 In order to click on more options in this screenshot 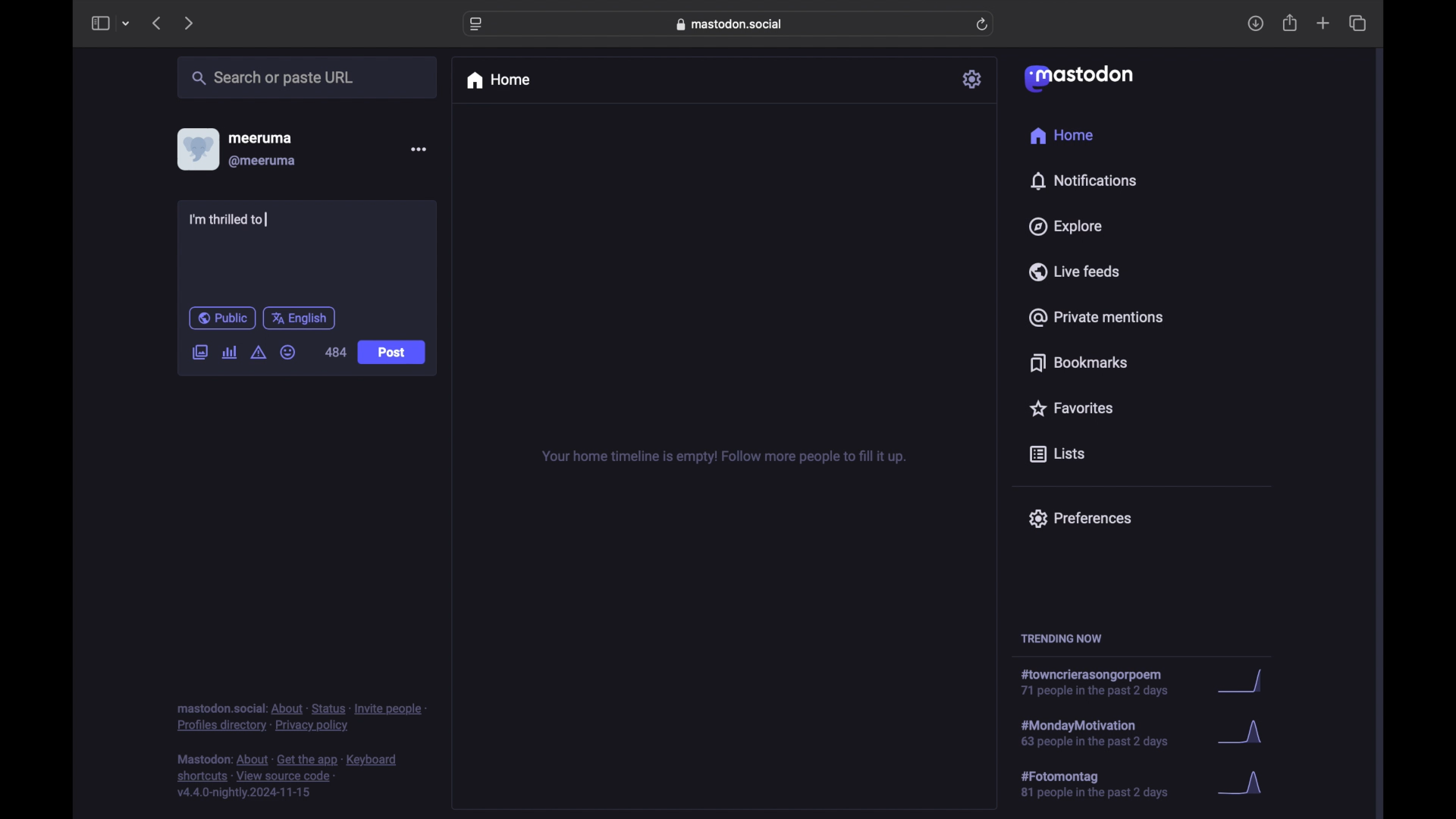, I will do `click(418, 149)`.